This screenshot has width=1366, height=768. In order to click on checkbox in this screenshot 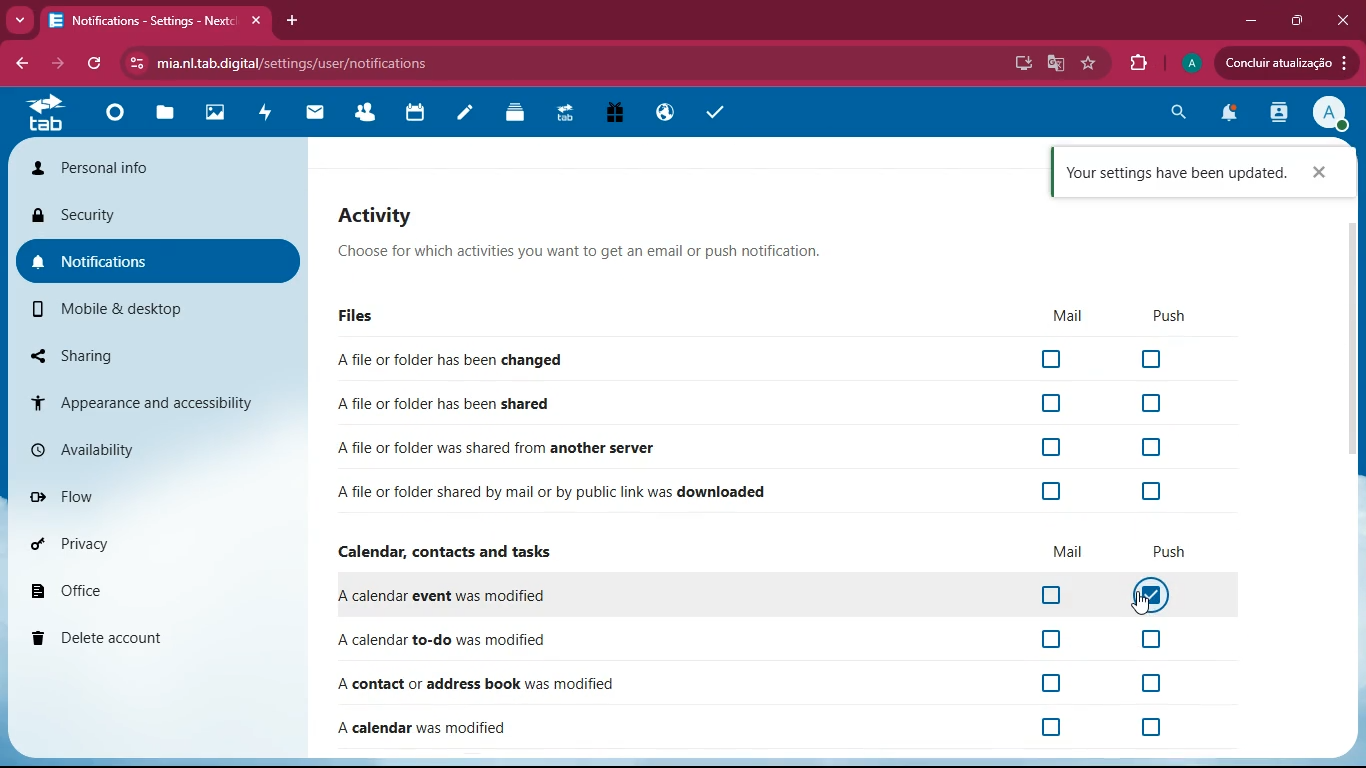, I will do `click(1049, 448)`.